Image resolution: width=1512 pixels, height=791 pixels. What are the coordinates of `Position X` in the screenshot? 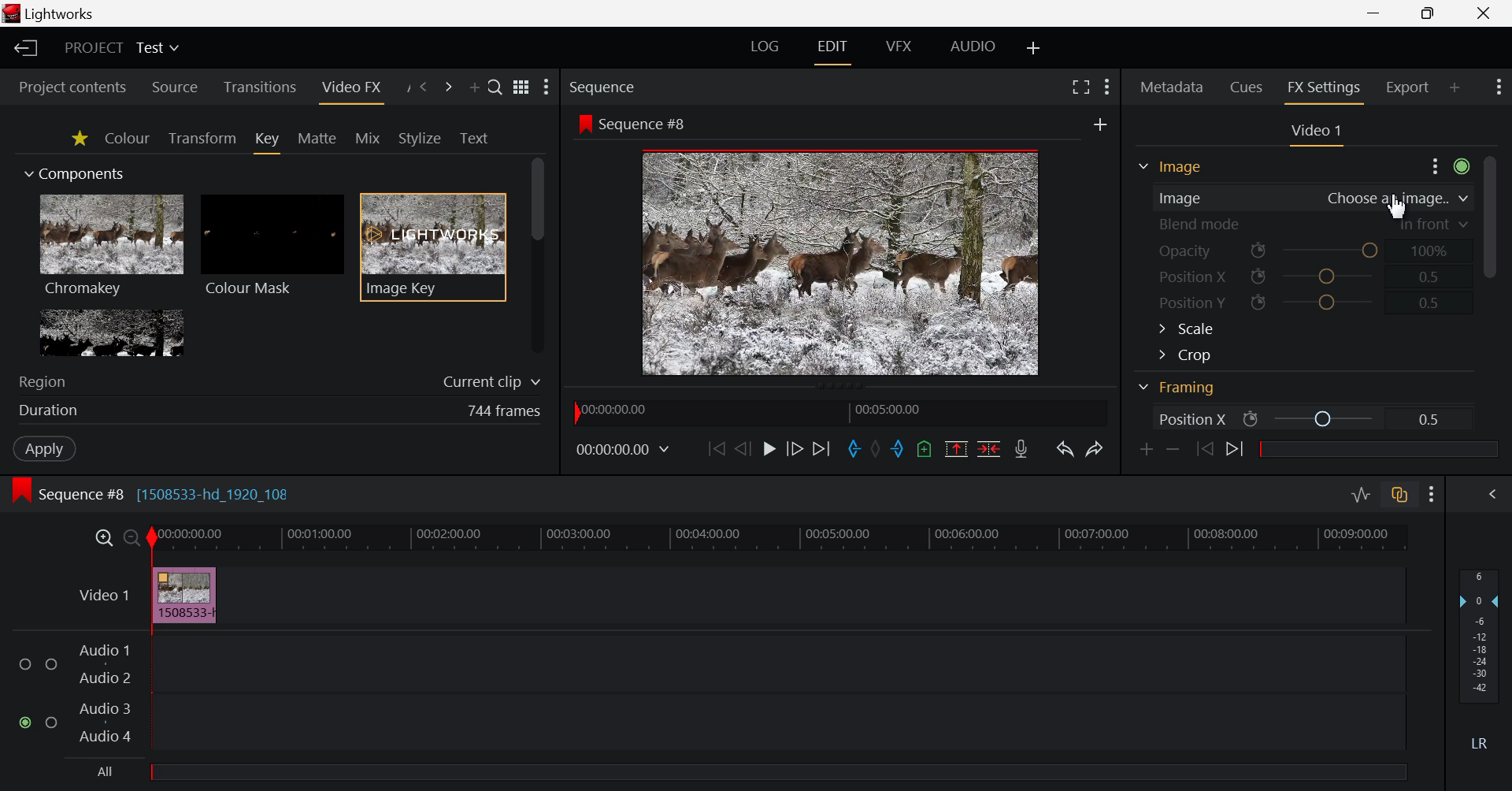 It's located at (1331, 278).